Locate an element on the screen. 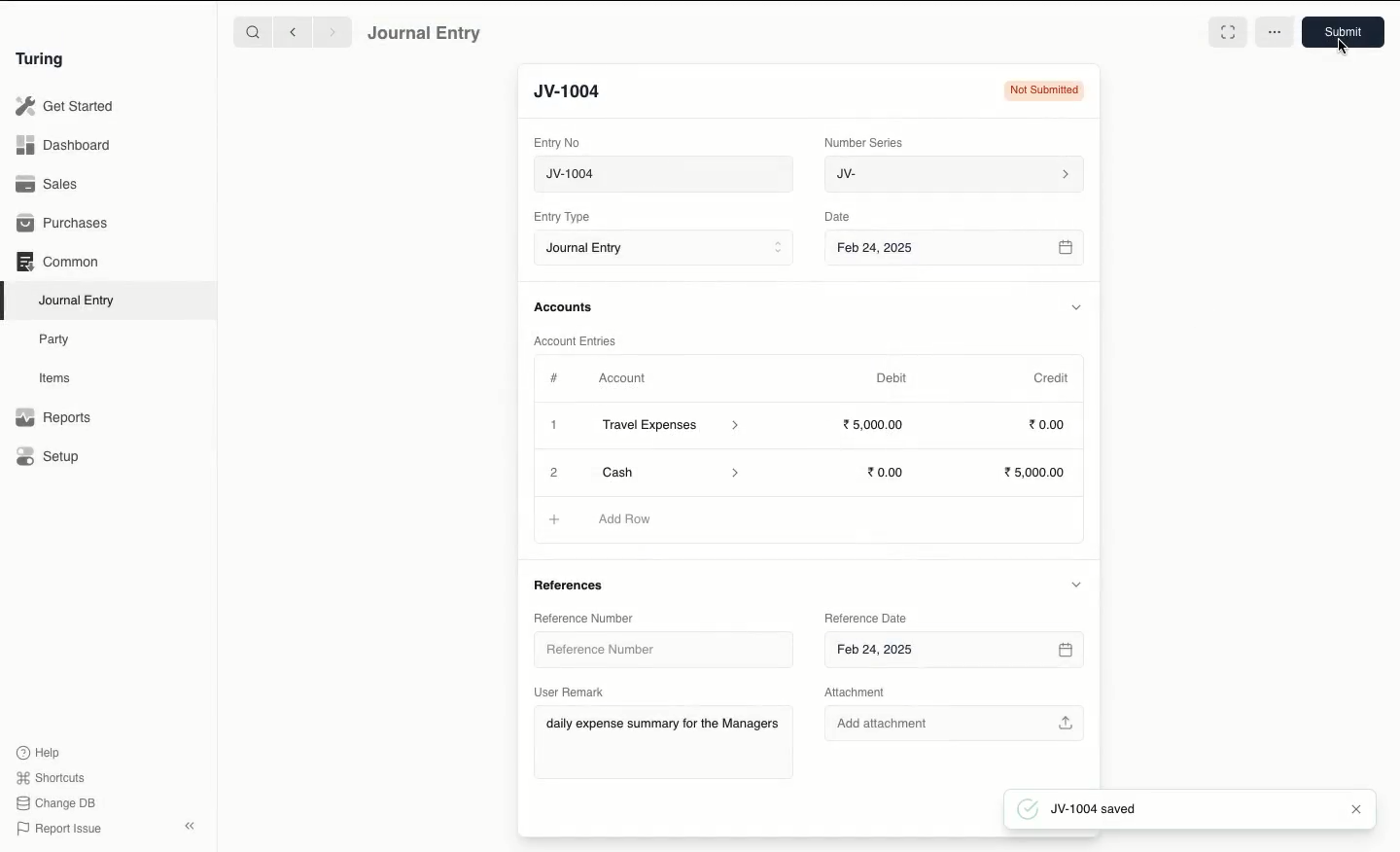 The width and height of the screenshot is (1400, 852). Credit is located at coordinates (1053, 378).